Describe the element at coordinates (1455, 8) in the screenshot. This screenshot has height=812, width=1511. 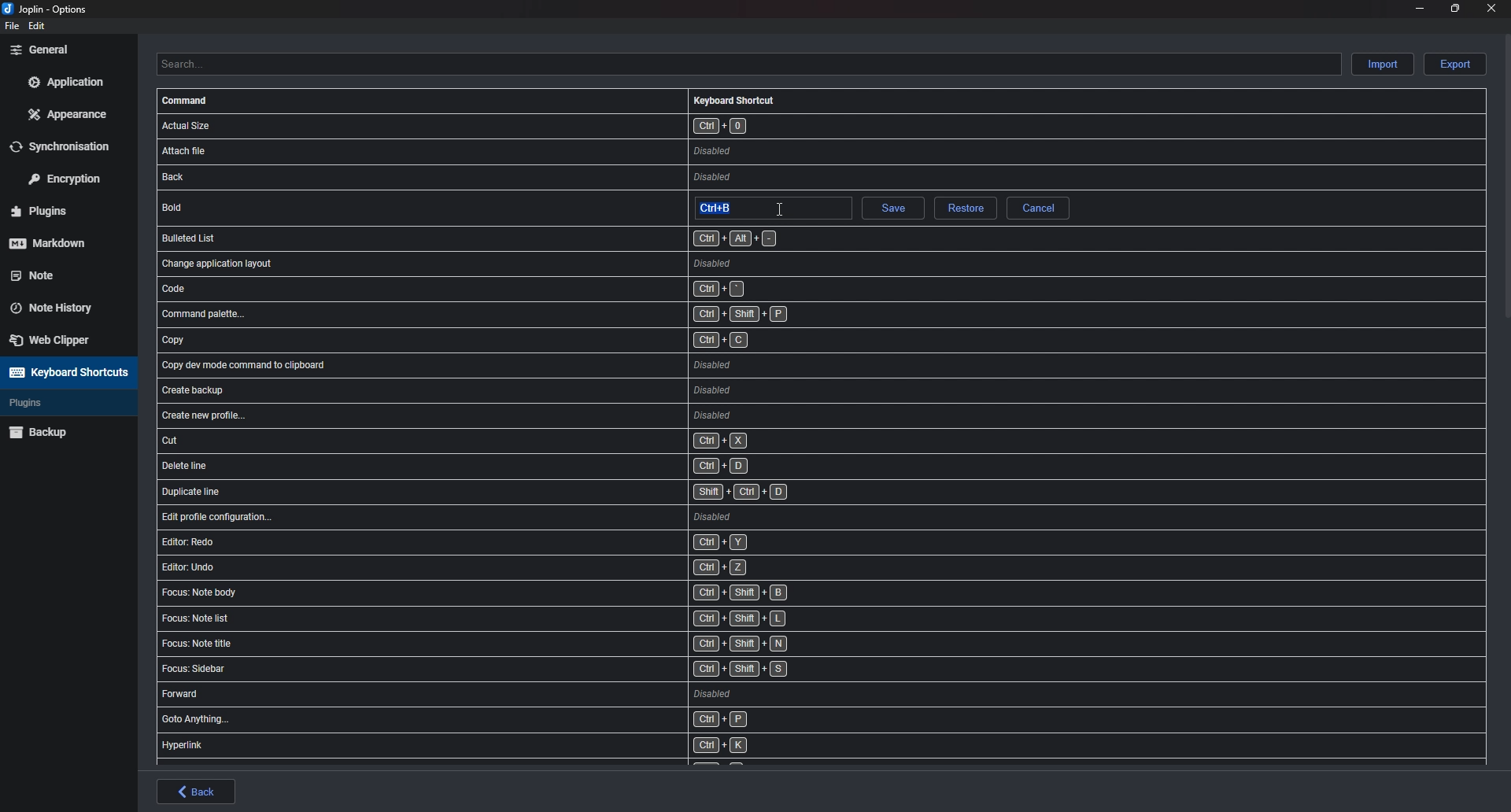
I see `Resize` at that location.